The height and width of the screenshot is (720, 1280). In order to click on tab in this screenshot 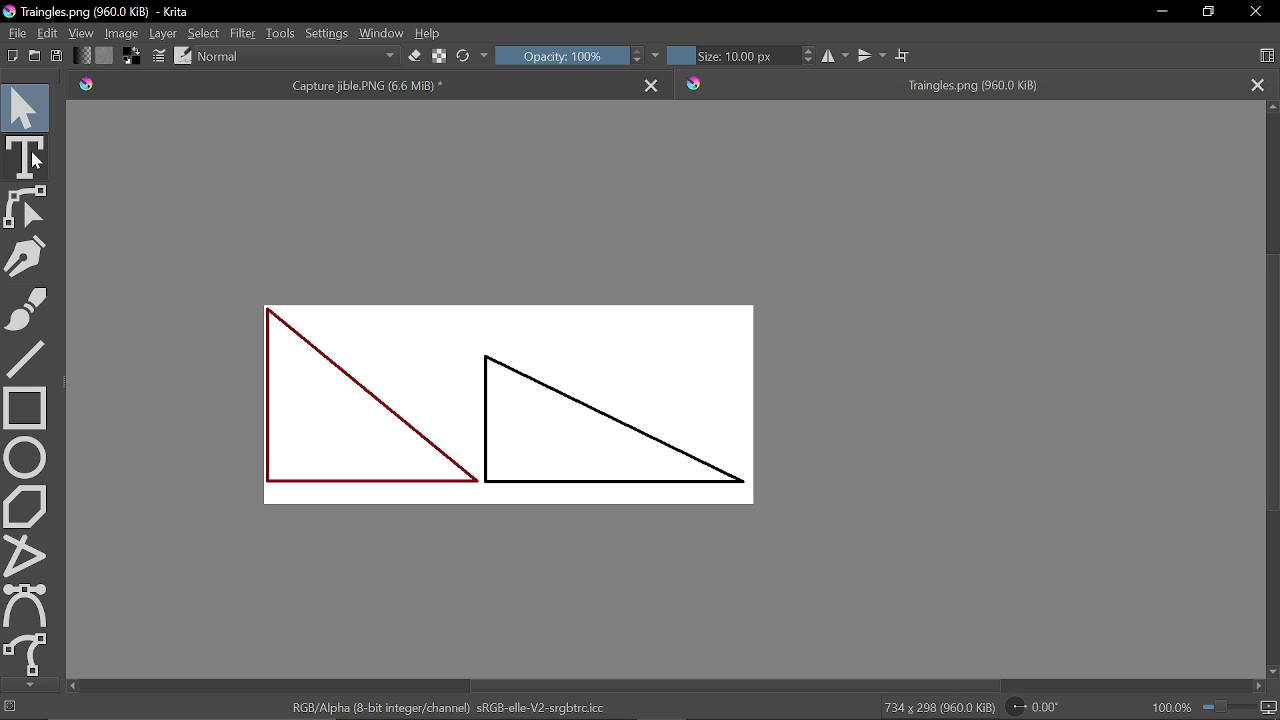, I will do `click(958, 83)`.